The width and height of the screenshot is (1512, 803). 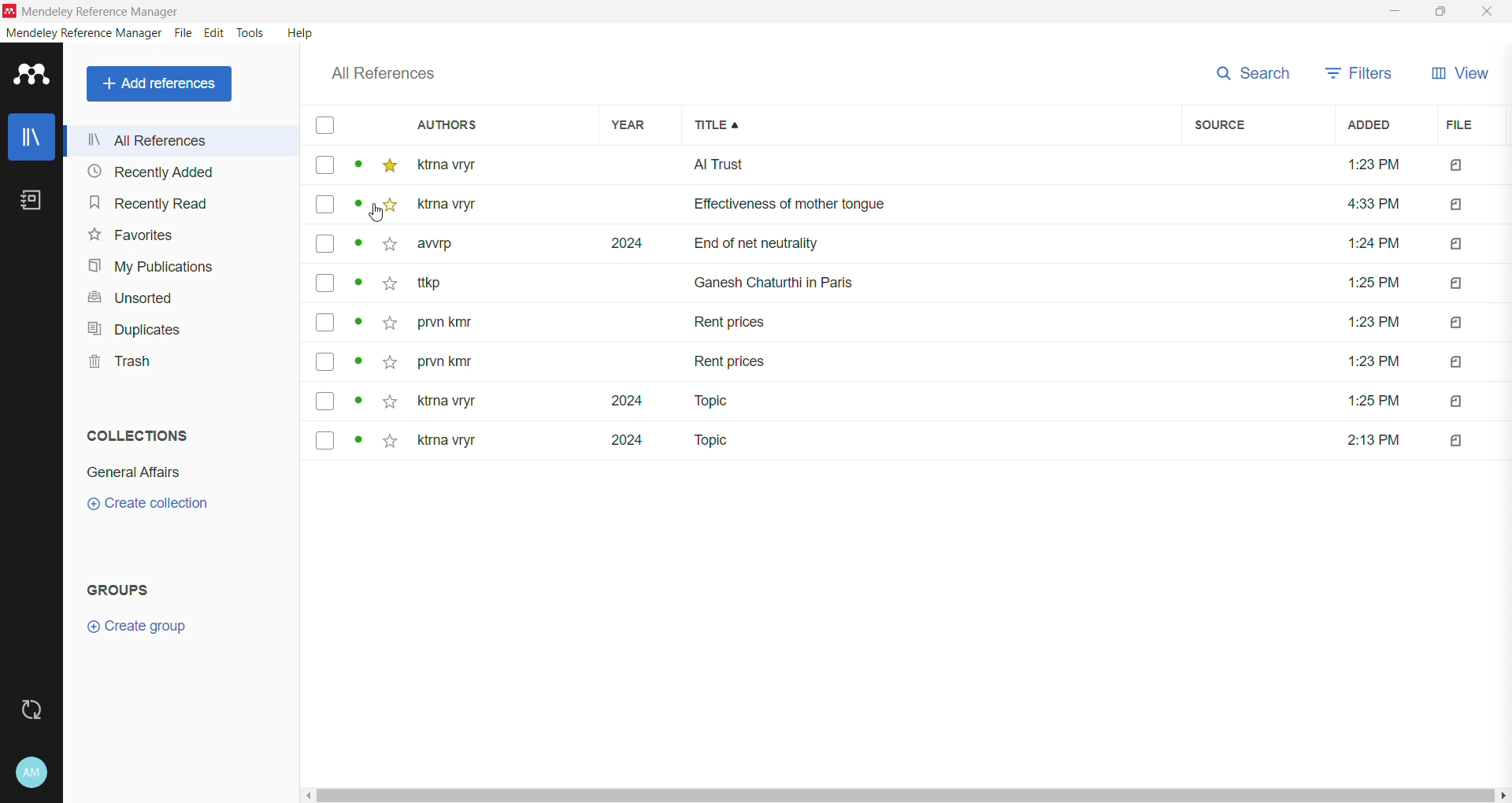 What do you see at coordinates (358, 366) in the screenshot?
I see `dot ` at bounding box center [358, 366].